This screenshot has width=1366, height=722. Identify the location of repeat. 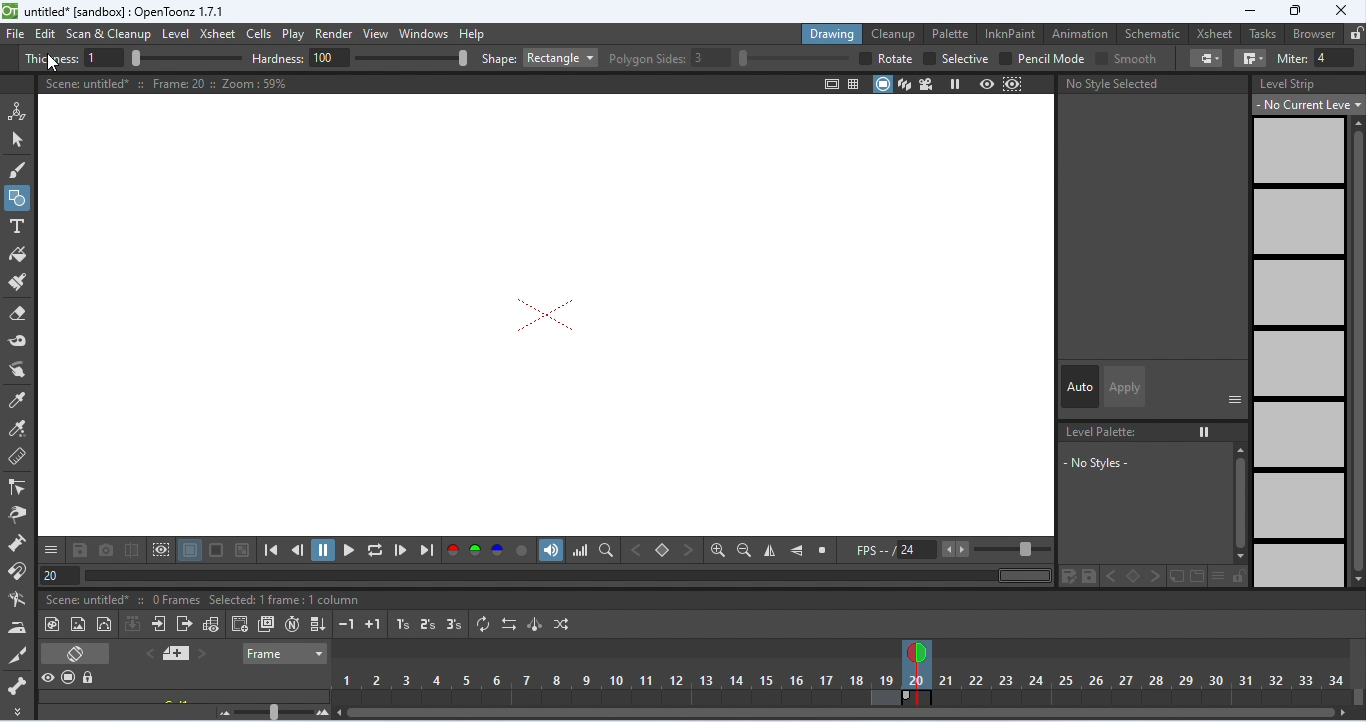
(484, 624).